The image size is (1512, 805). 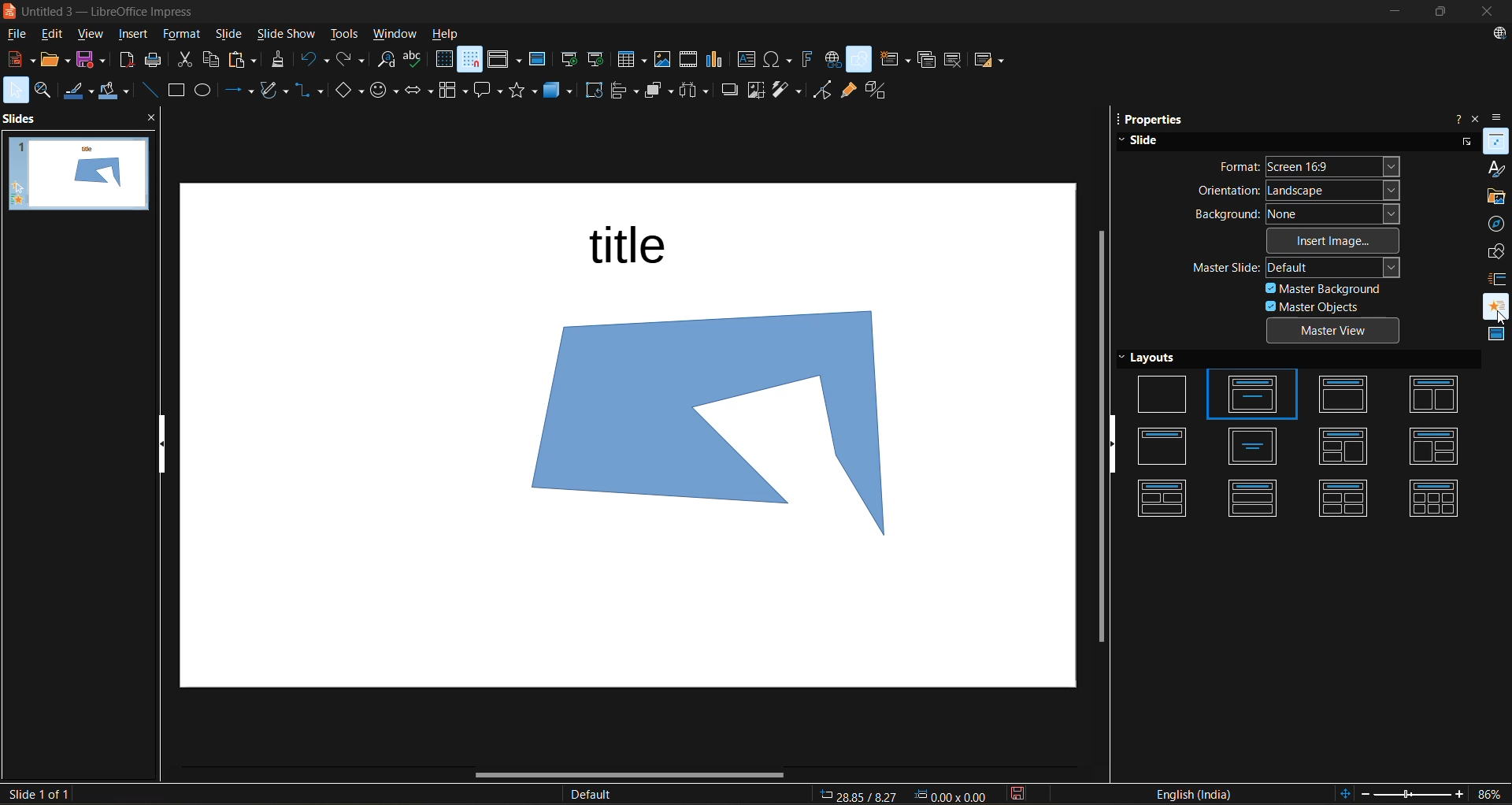 What do you see at coordinates (632, 61) in the screenshot?
I see `table` at bounding box center [632, 61].